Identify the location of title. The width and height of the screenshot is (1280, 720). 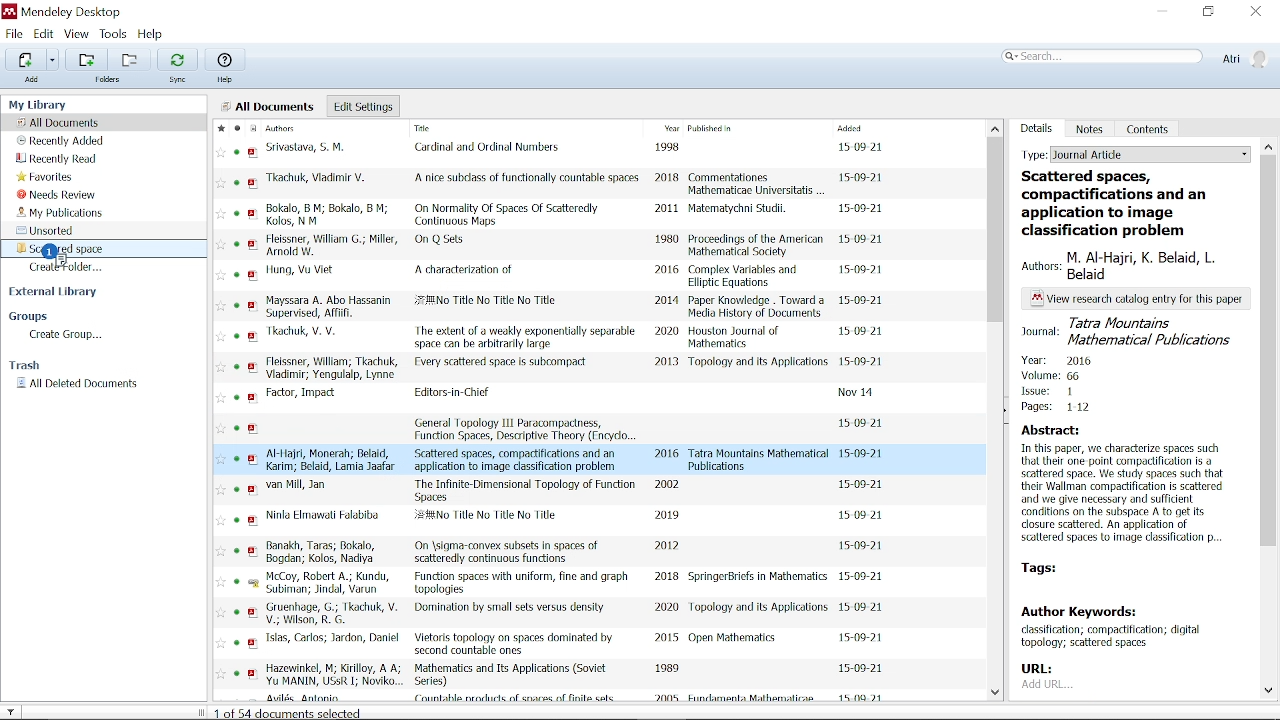
(519, 459).